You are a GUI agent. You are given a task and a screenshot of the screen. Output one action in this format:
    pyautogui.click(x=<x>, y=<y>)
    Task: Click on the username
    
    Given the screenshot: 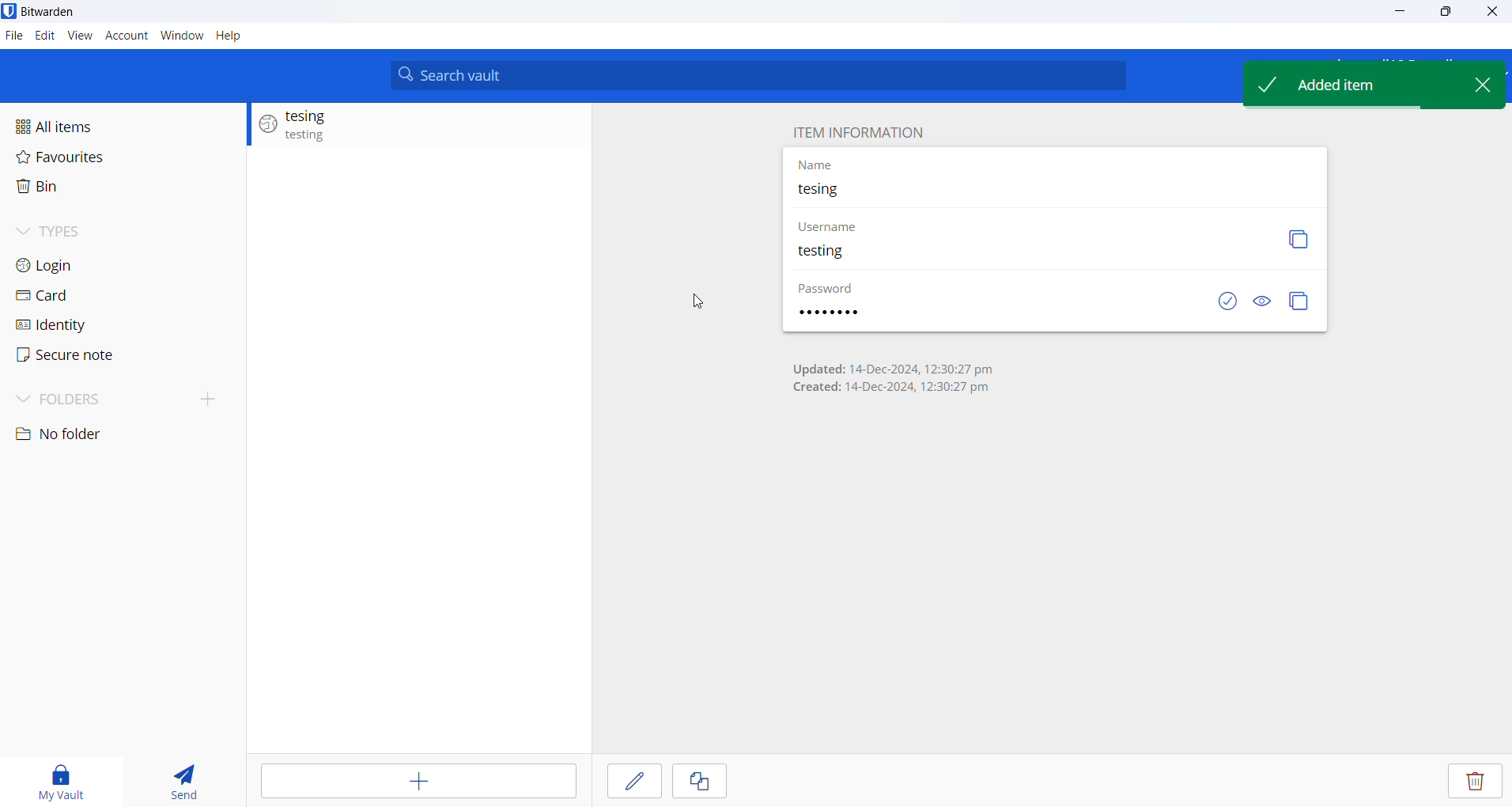 What is the action you would take?
    pyautogui.click(x=856, y=256)
    